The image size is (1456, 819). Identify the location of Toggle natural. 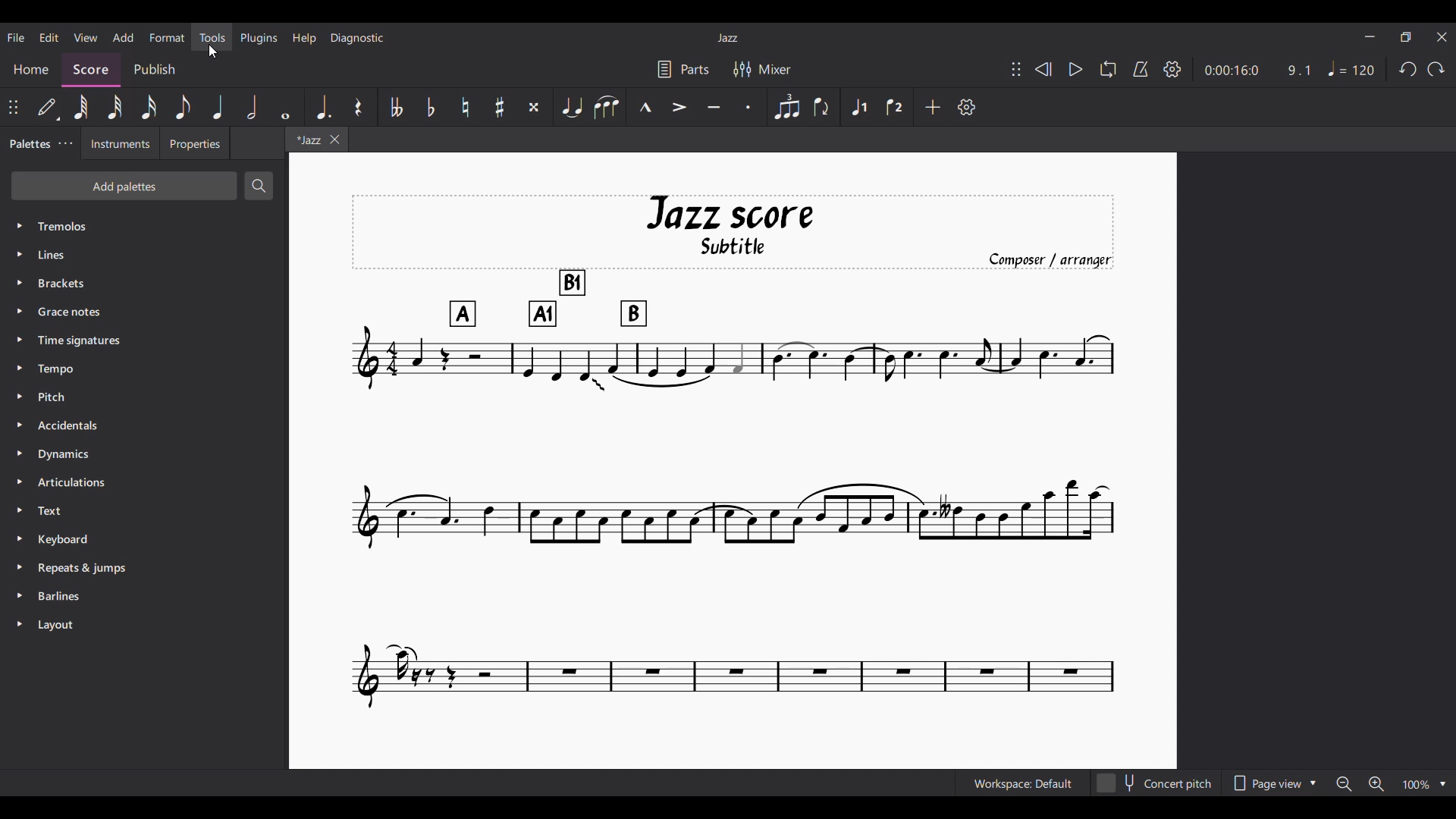
(465, 107).